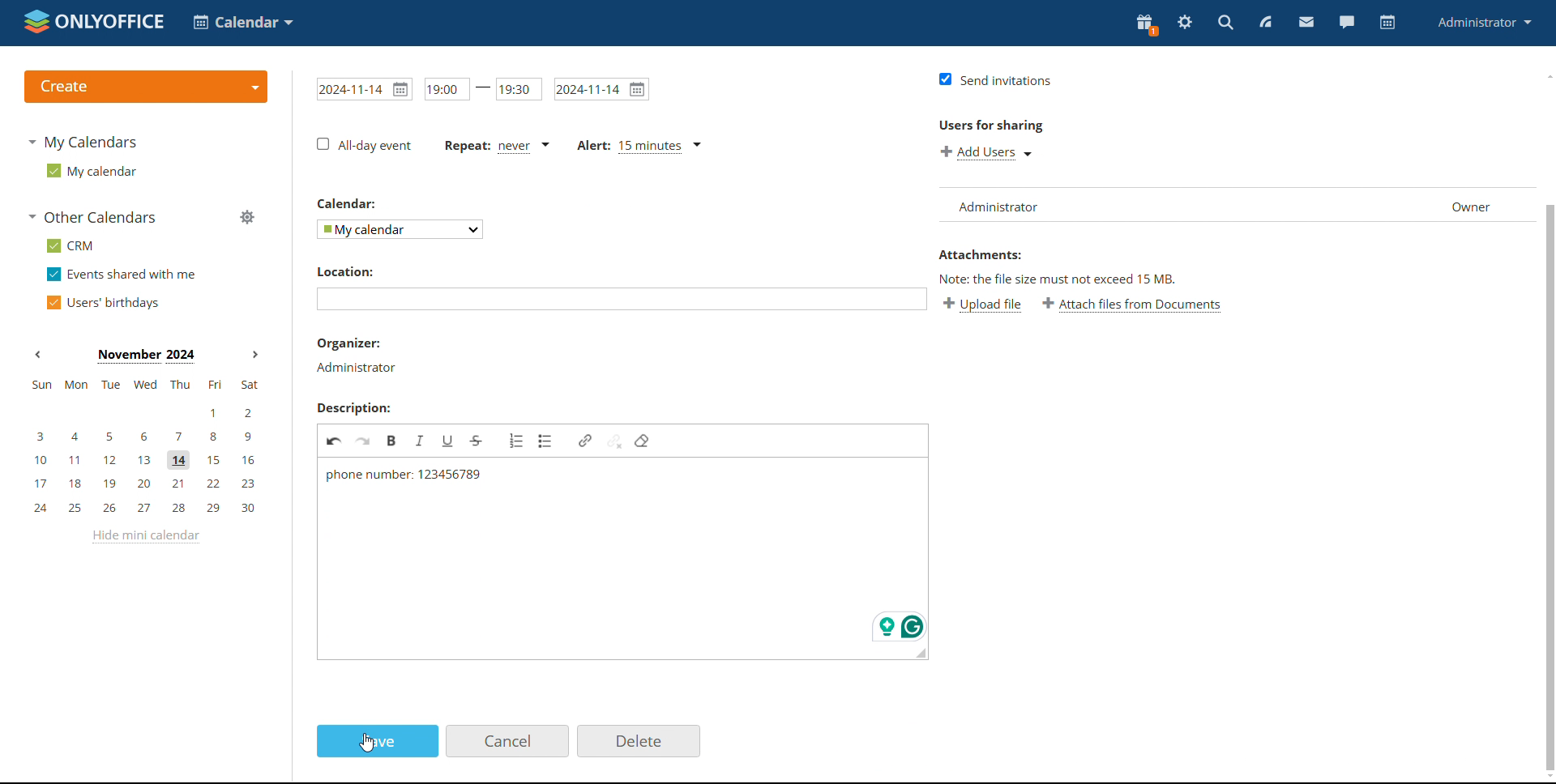 Image resolution: width=1556 pixels, height=784 pixels. Describe the element at coordinates (995, 79) in the screenshot. I see `checkbox` at that location.